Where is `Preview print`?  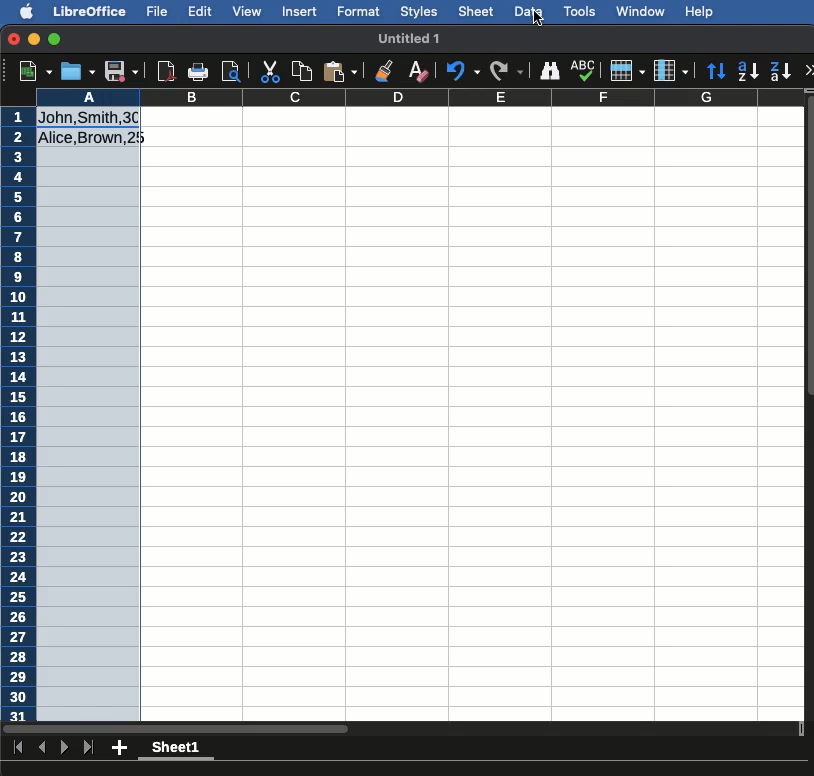 Preview print is located at coordinates (231, 72).